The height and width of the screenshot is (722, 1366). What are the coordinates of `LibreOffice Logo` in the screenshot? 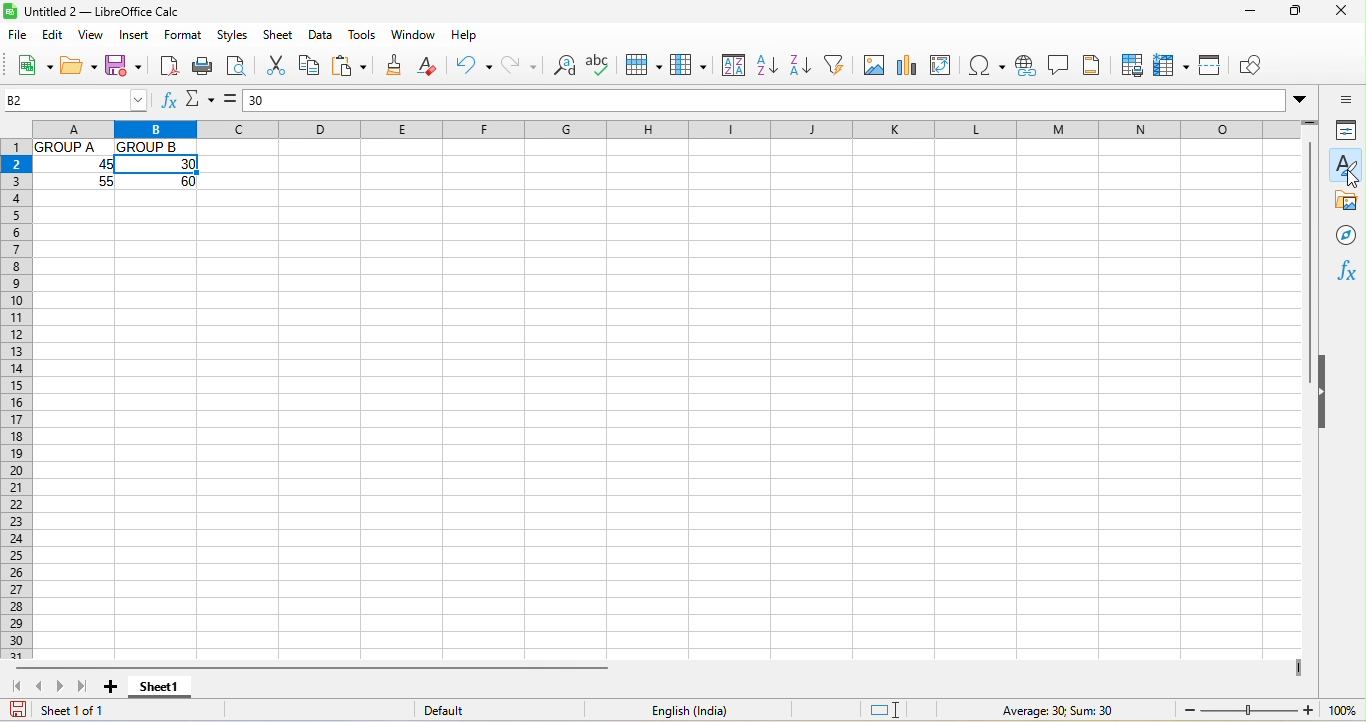 It's located at (10, 11).